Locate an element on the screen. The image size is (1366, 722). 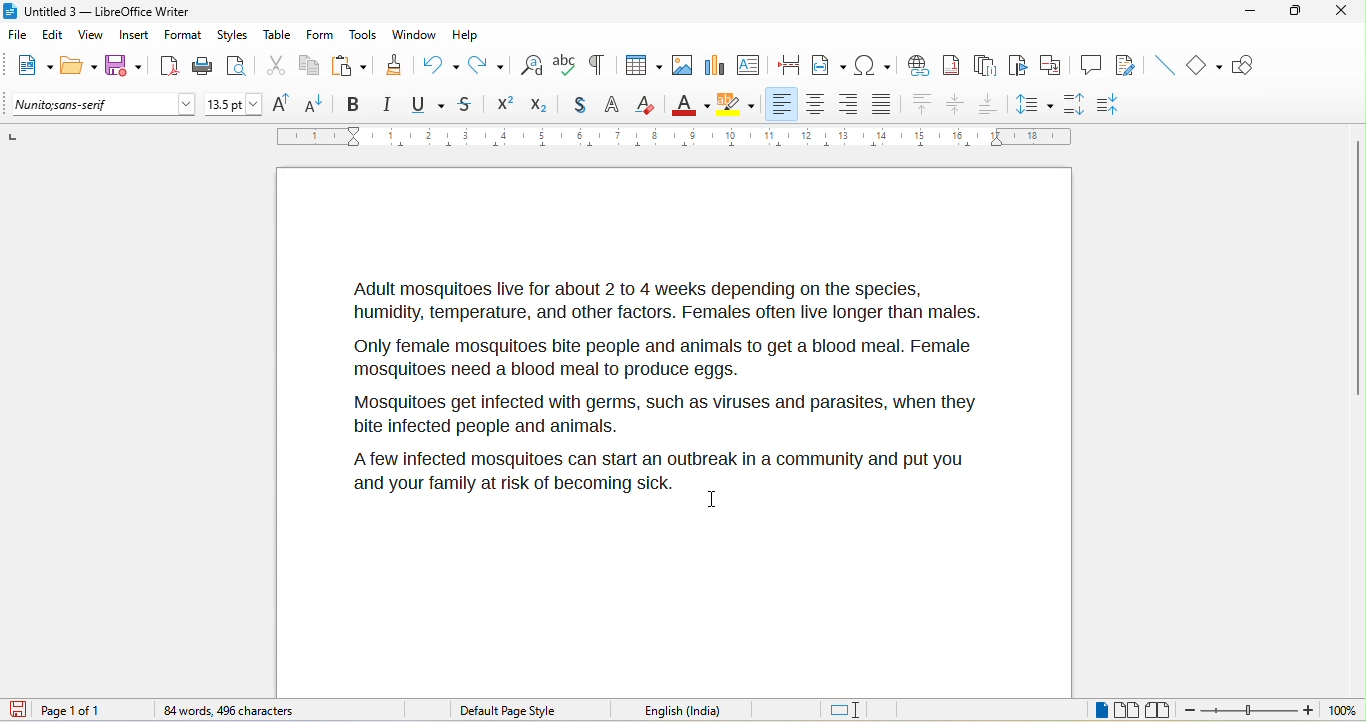
new is located at coordinates (31, 68).